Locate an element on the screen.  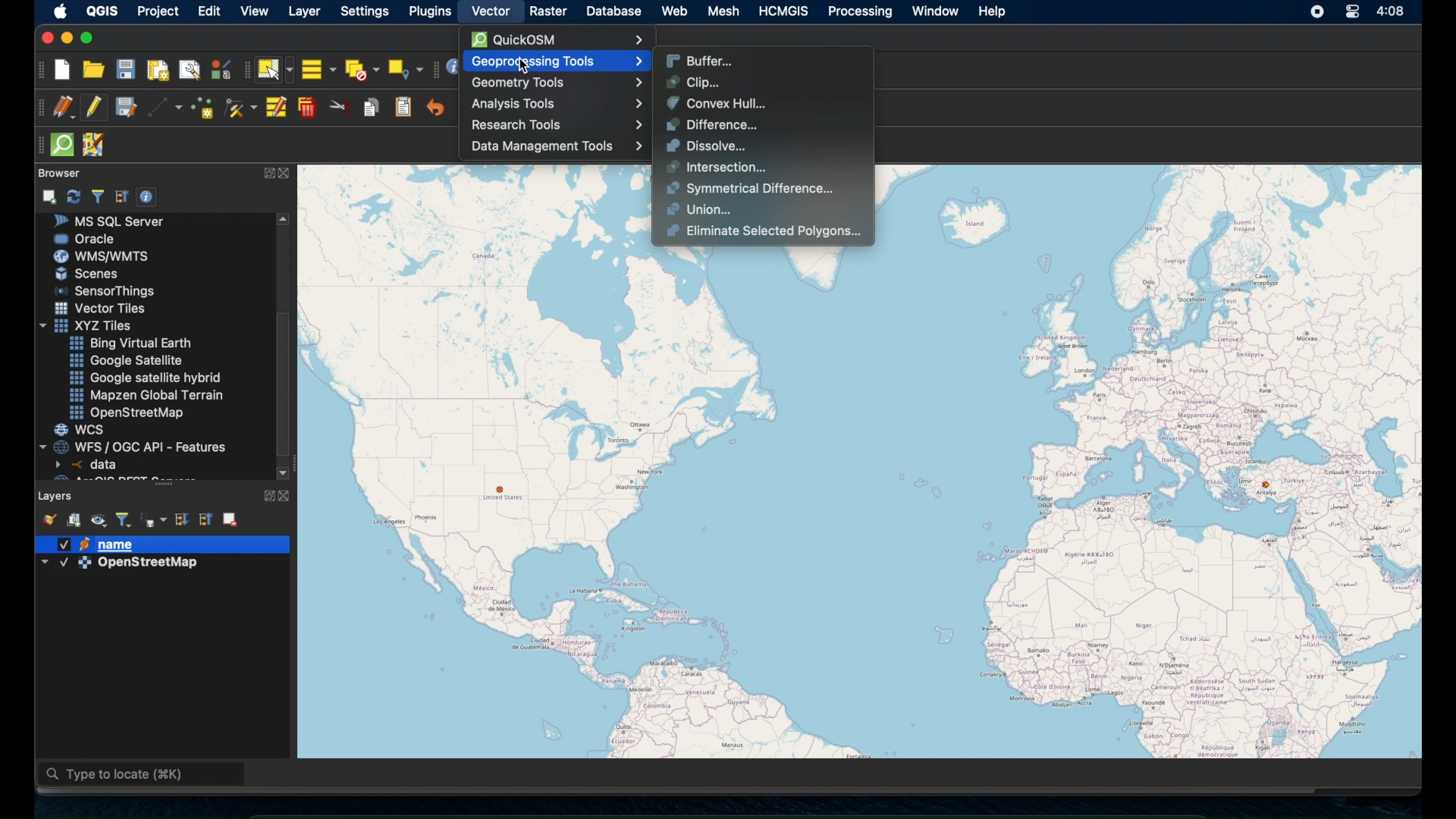
project is located at coordinates (161, 11).